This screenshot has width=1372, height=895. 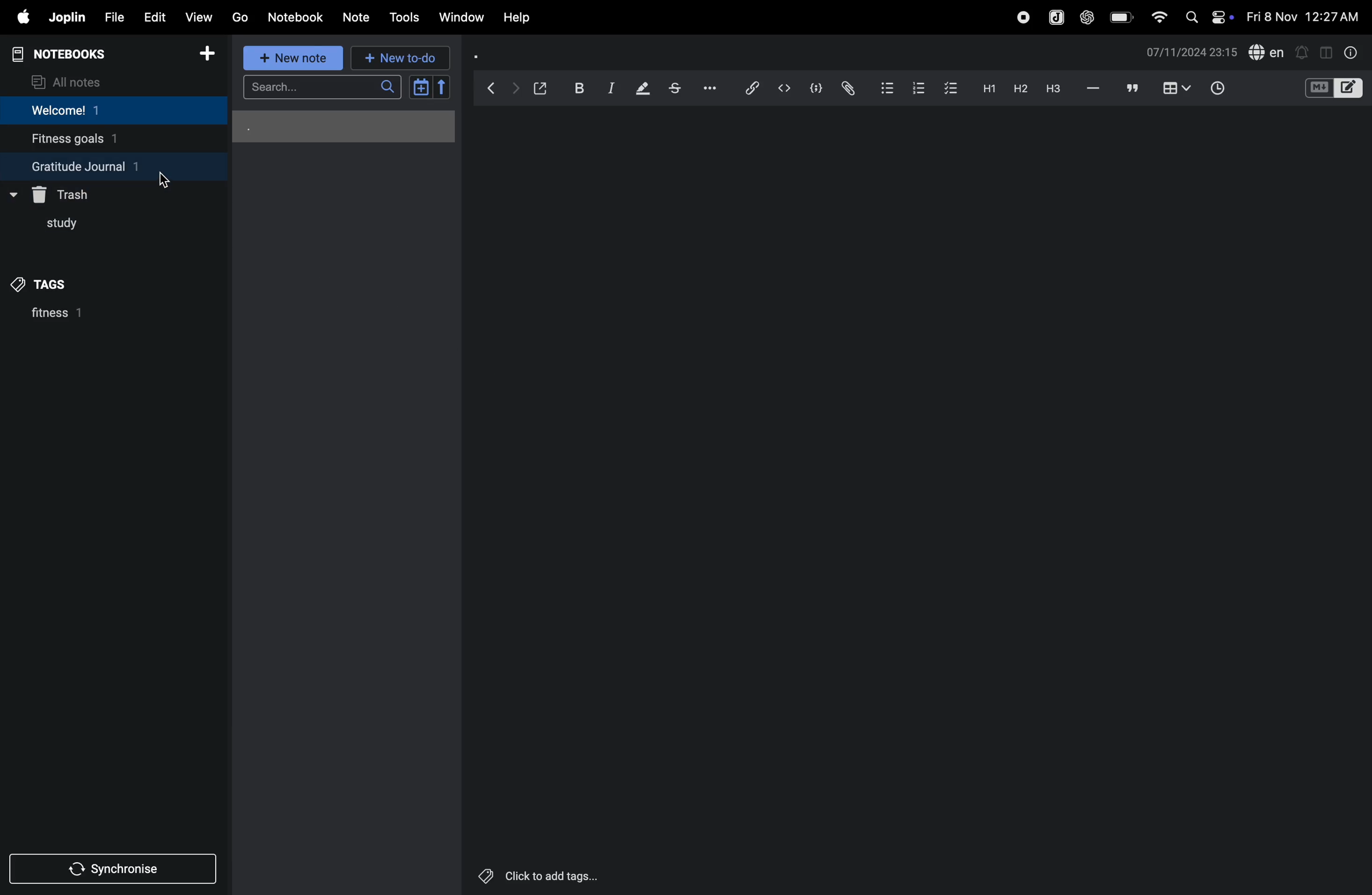 What do you see at coordinates (1056, 18) in the screenshot?
I see `joplin menu` at bounding box center [1056, 18].